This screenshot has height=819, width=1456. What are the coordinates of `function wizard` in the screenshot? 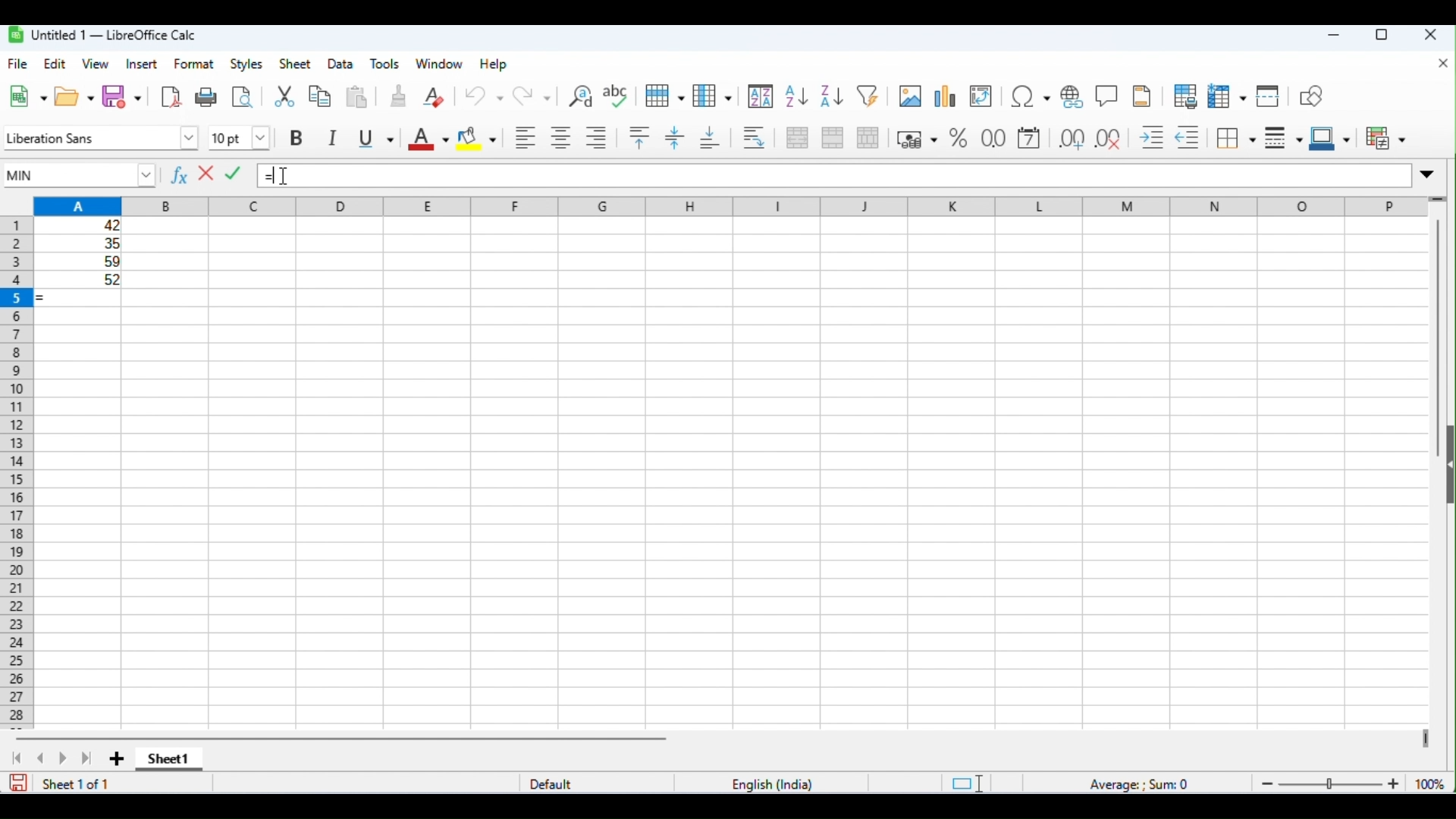 It's located at (181, 177).